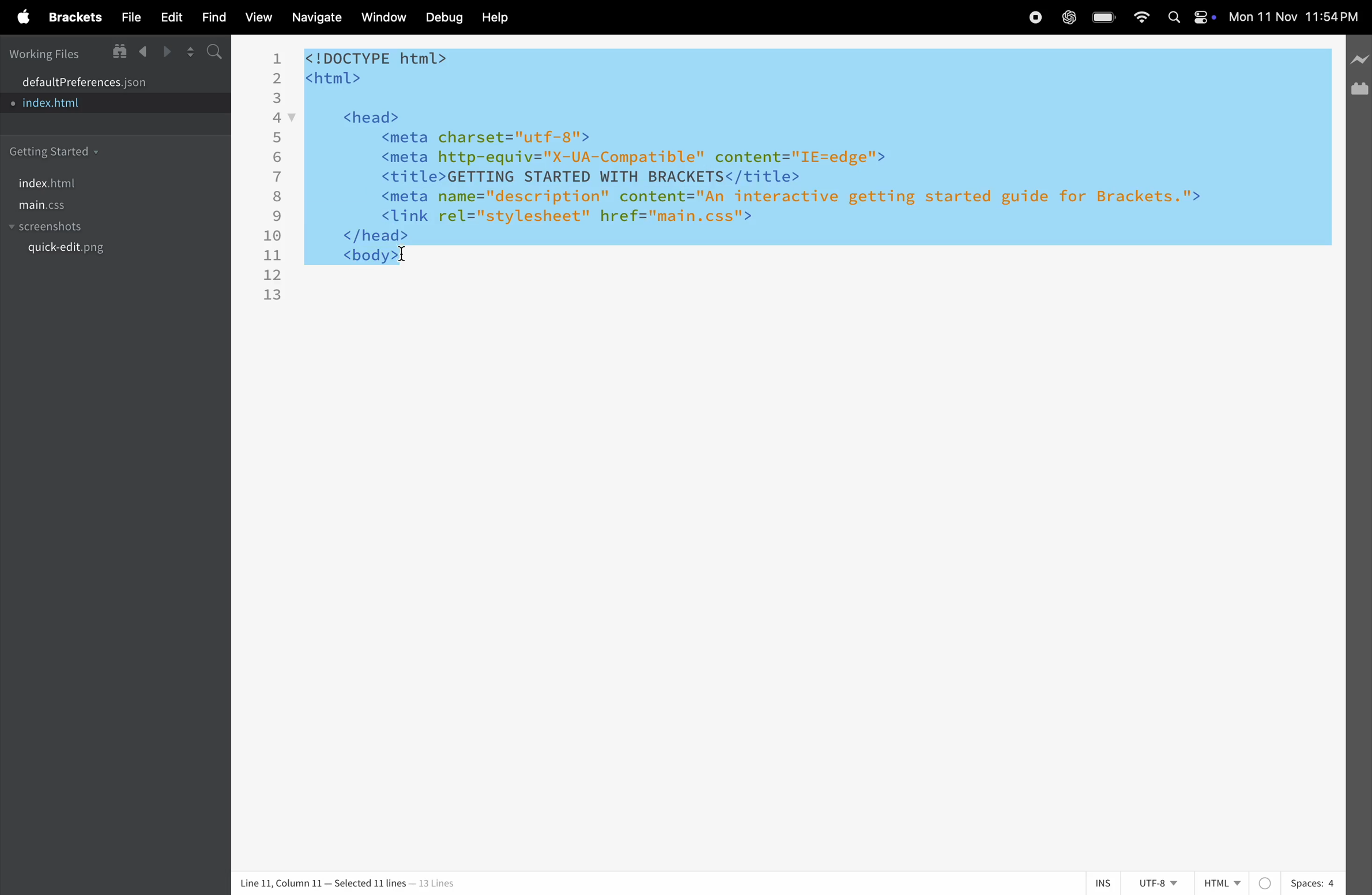  I want to click on utf -8, so click(1162, 883).